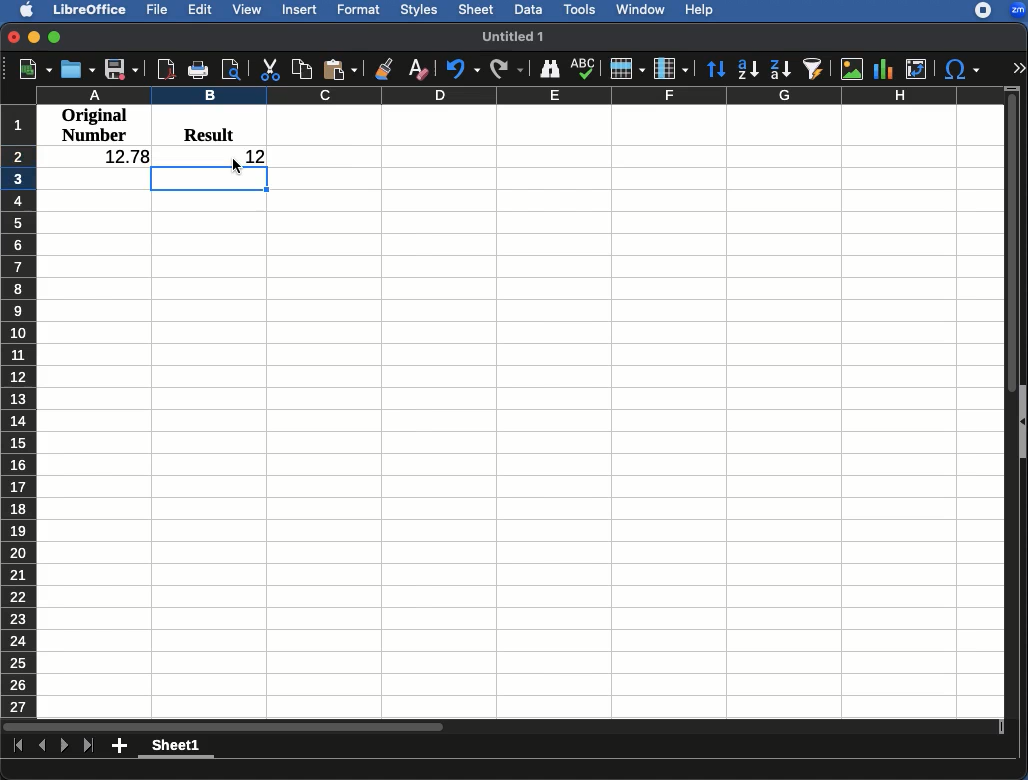 Image resolution: width=1028 pixels, height=780 pixels. What do you see at coordinates (461, 69) in the screenshot?
I see `Undo` at bounding box center [461, 69].